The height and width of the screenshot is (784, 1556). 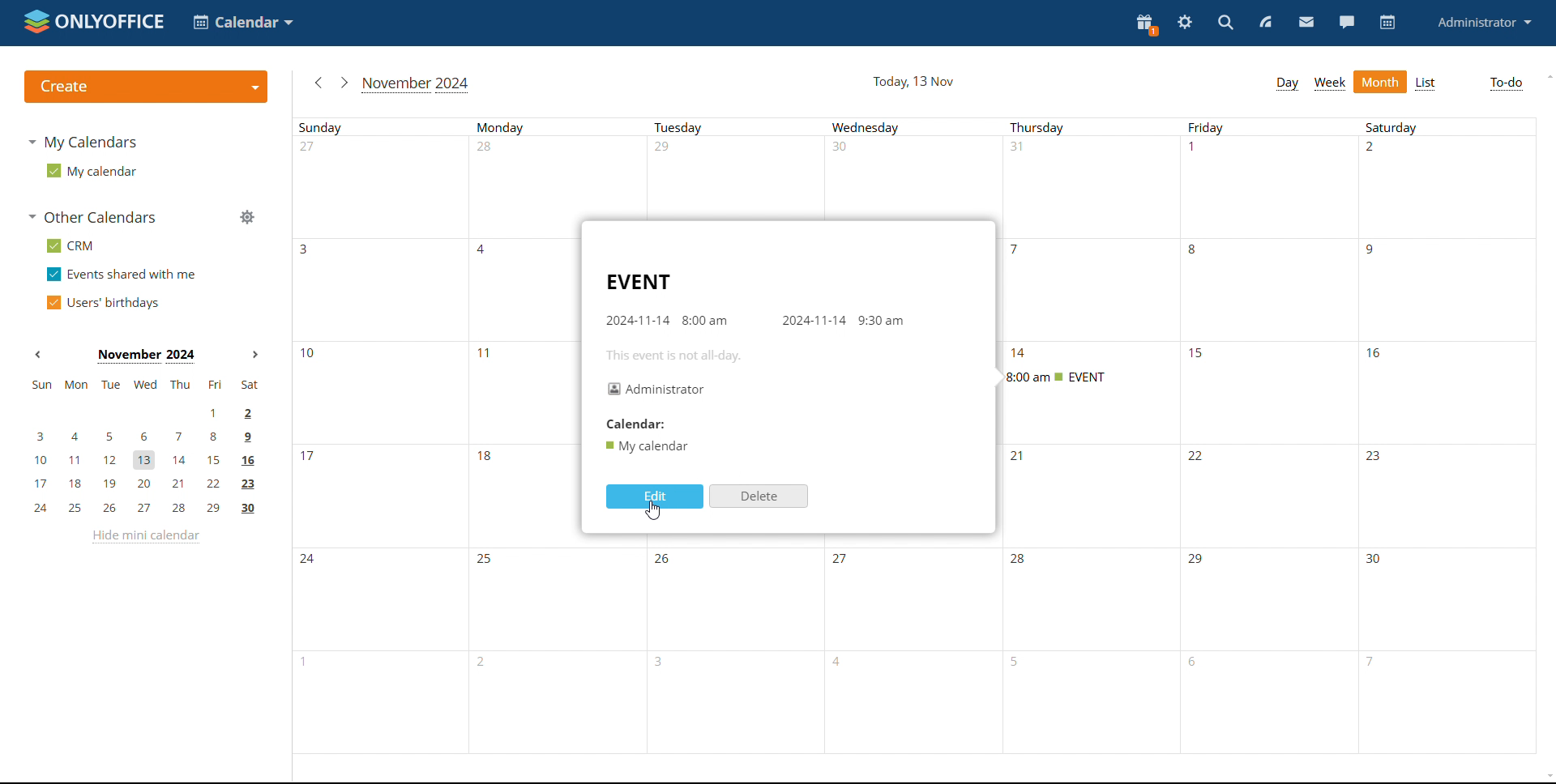 What do you see at coordinates (1486, 23) in the screenshot?
I see `administrator` at bounding box center [1486, 23].